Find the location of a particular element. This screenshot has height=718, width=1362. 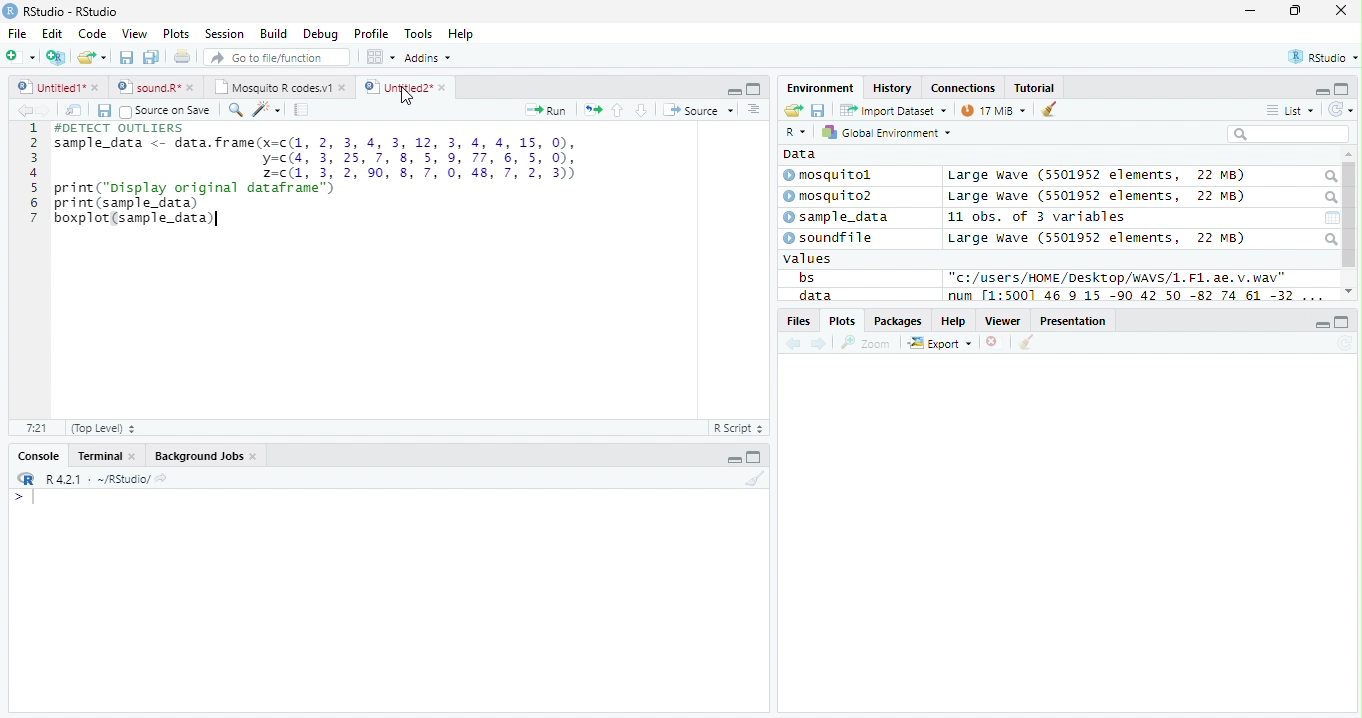

cursor is located at coordinates (408, 97).